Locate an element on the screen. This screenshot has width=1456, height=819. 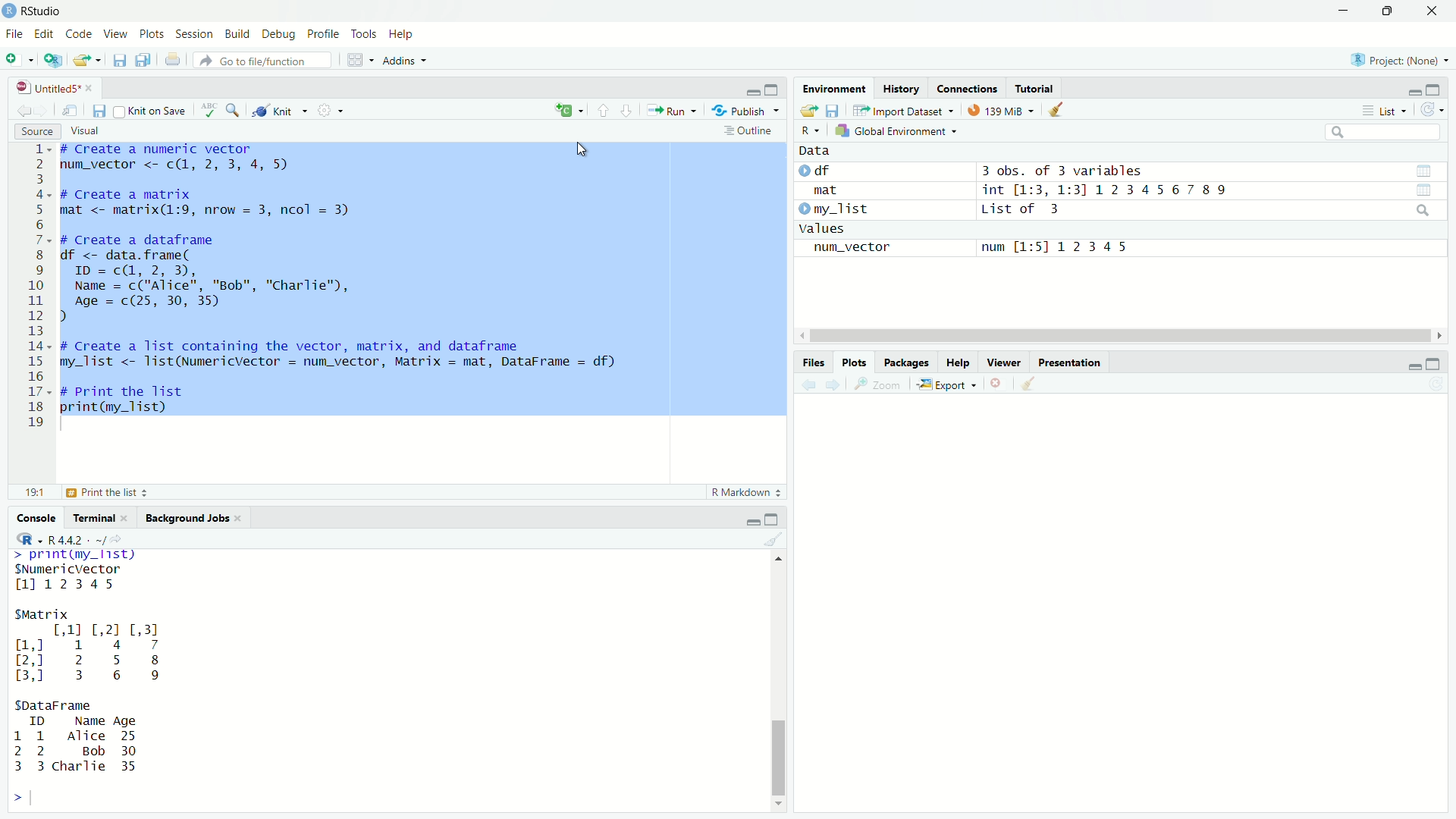
refresh is located at coordinates (1432, 108).